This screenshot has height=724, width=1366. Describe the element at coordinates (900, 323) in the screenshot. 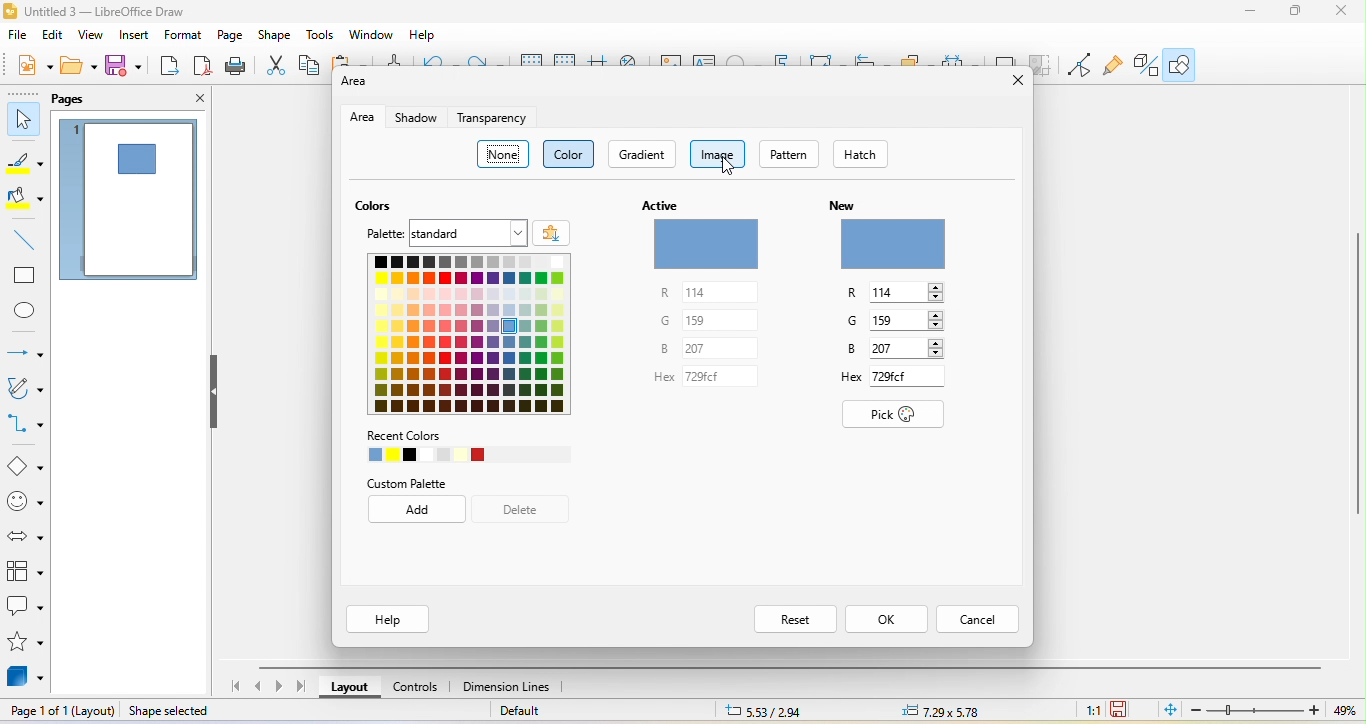

I see `g 159` at that location.